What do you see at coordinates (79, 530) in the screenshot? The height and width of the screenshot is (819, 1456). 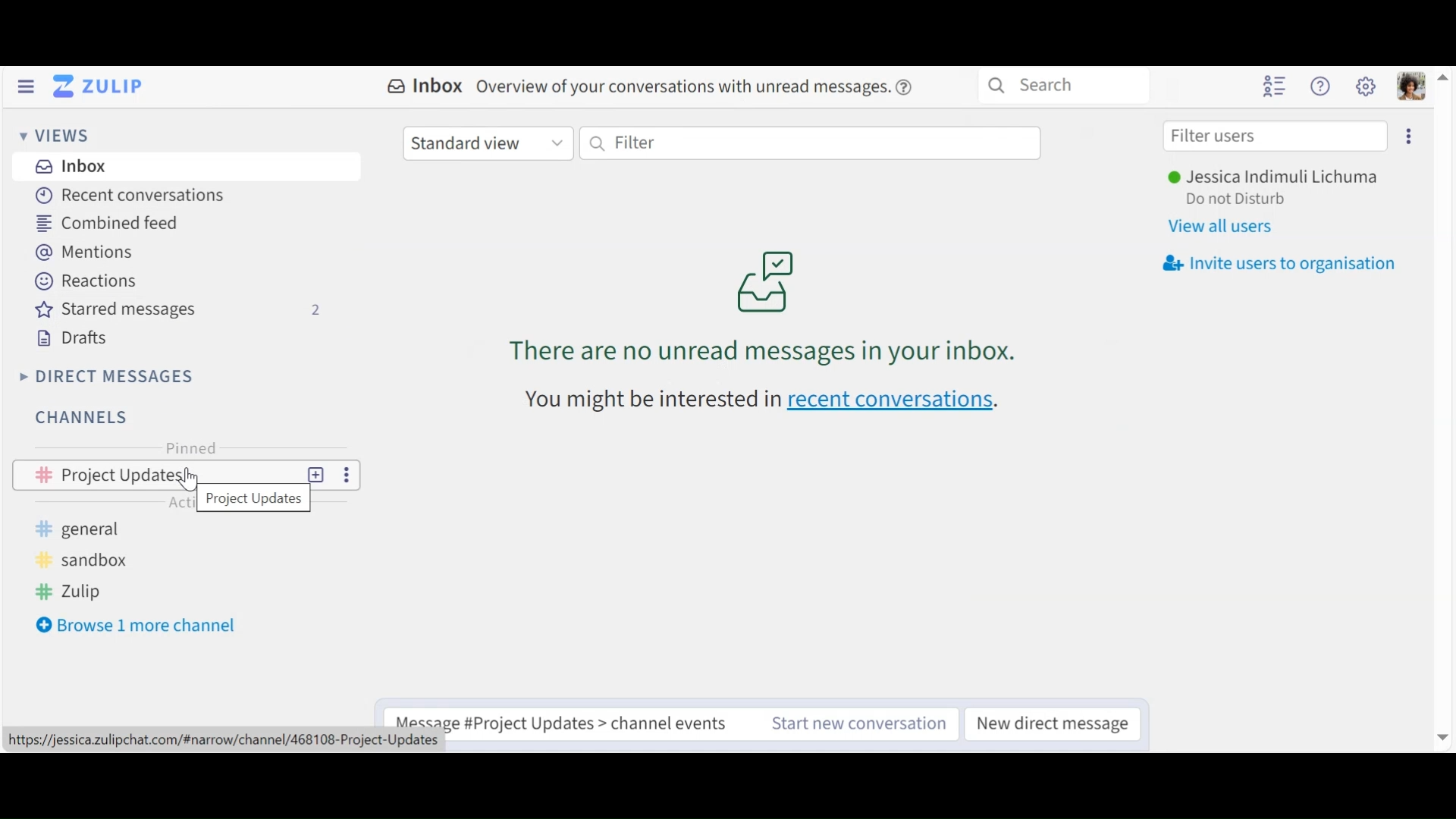 I see `general` at bounding box center [79, 530].